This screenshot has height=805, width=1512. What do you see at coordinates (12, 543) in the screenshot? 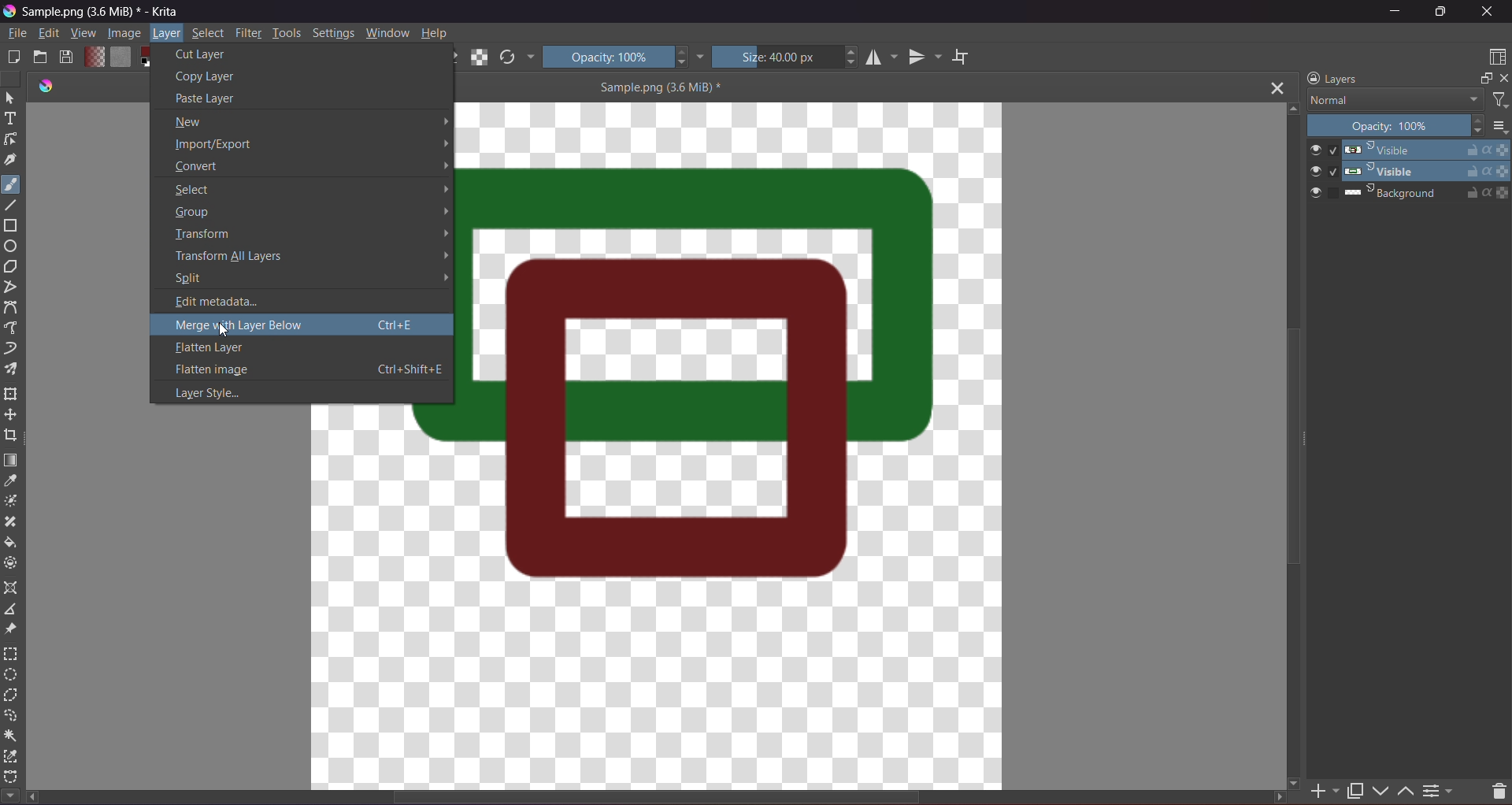
I see `Fill color` at bounding box center [12, 543].